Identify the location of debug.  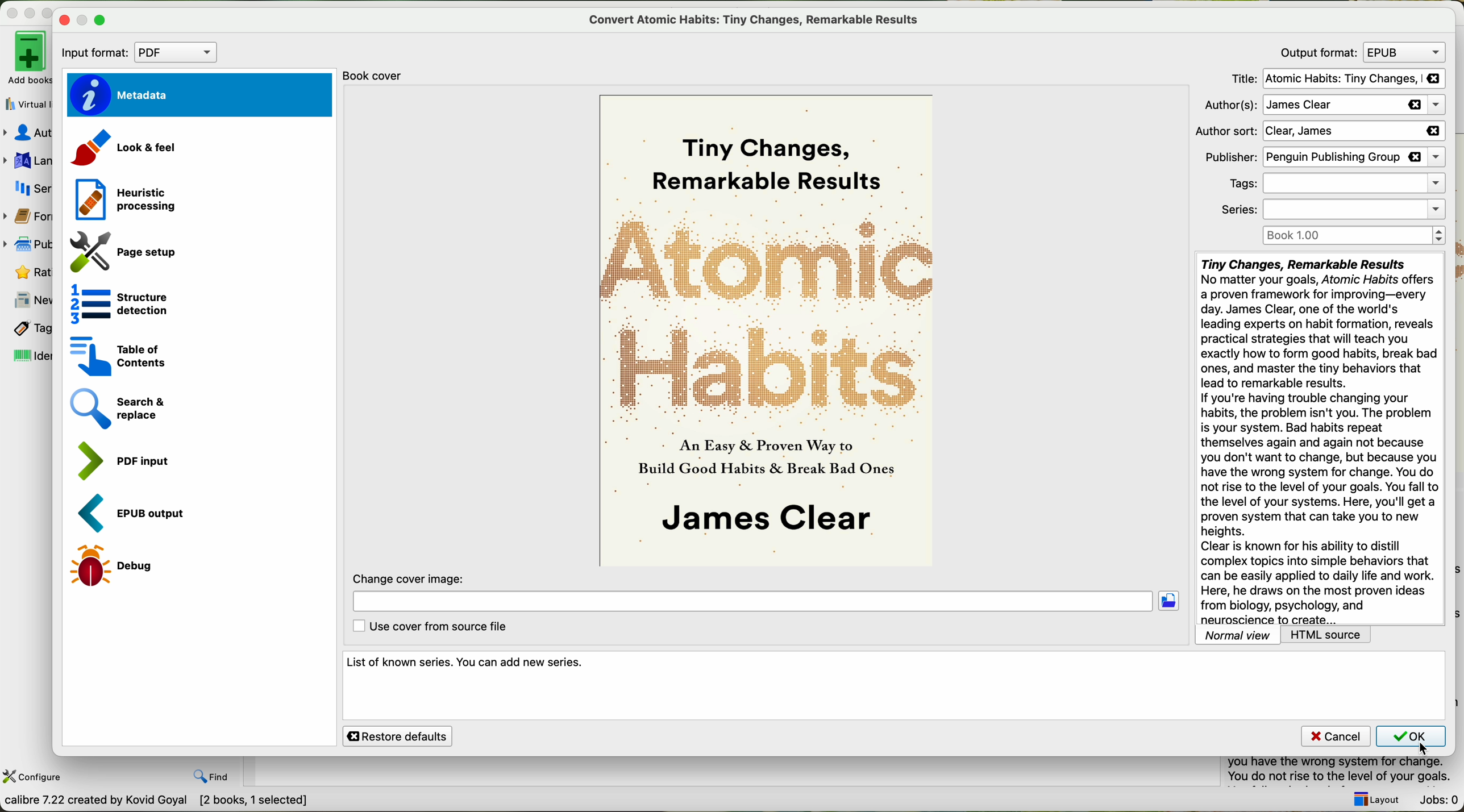
(114, 567).